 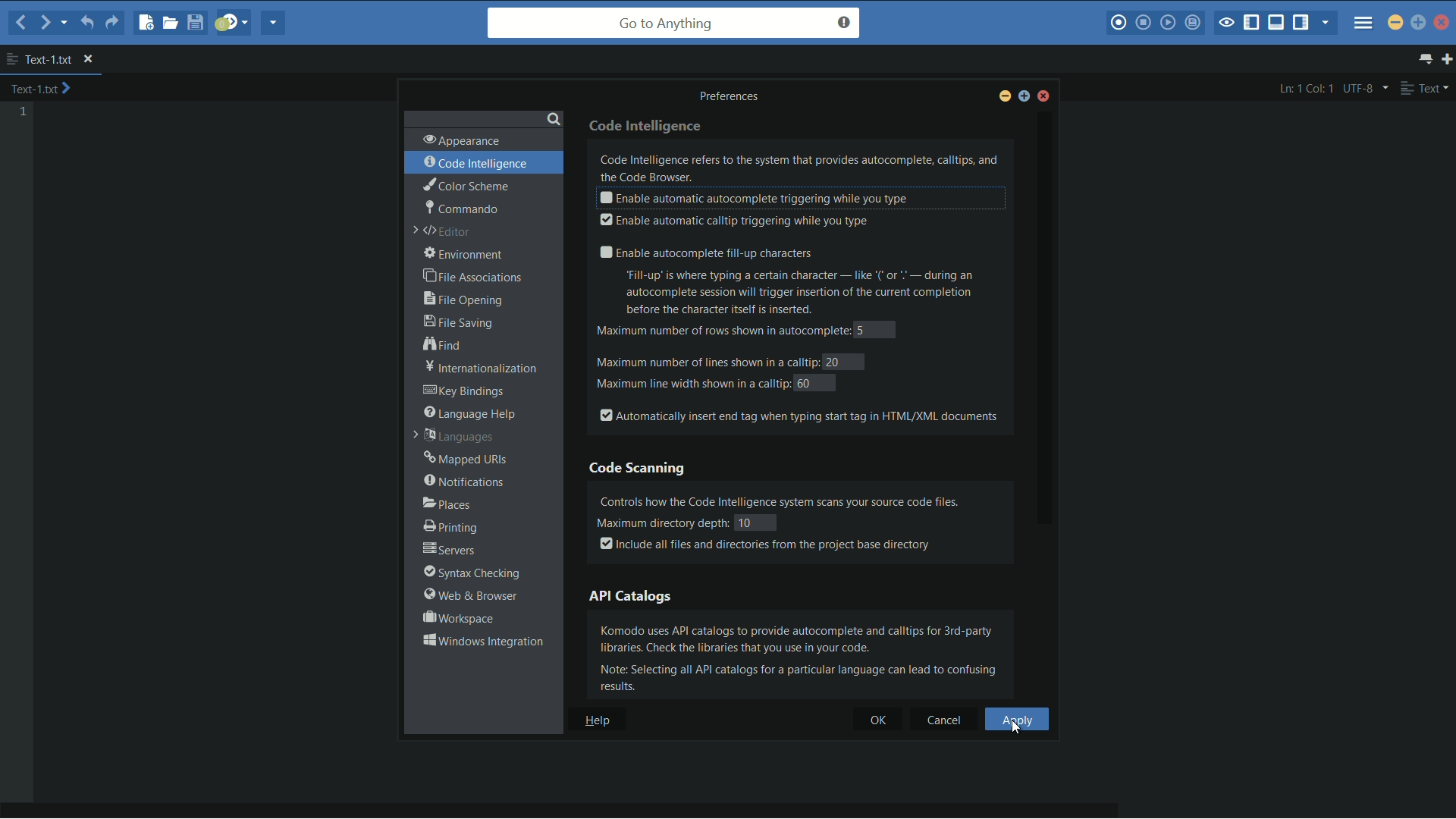 I want to click on 5, so click(x=863, y=329).